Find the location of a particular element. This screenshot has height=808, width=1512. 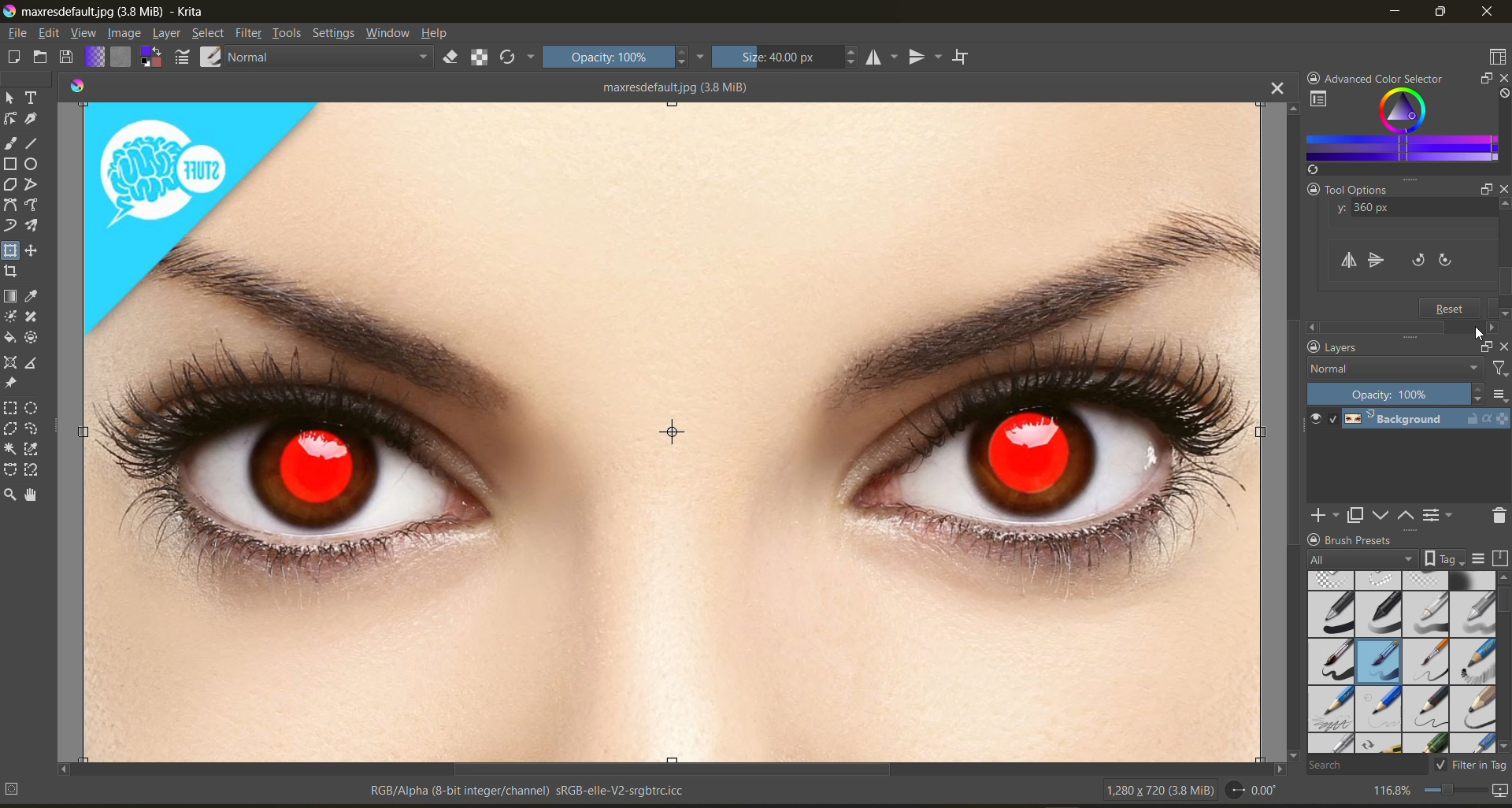

tool is located at coordinates (32, 339).